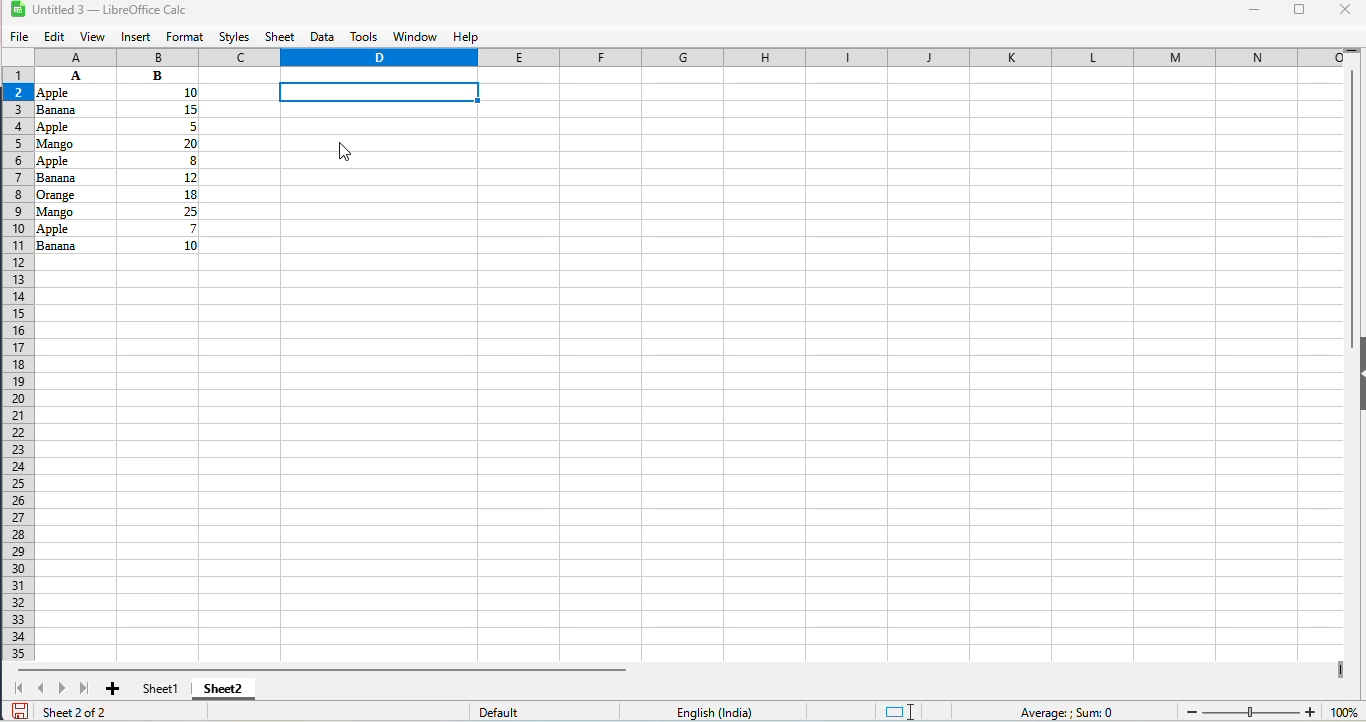 The width and height of the screenshot is (1366, 722). What do you see at coordinates (161, 688) in the screenshot?
I see `sheet1` at bounding box center [161, 688].